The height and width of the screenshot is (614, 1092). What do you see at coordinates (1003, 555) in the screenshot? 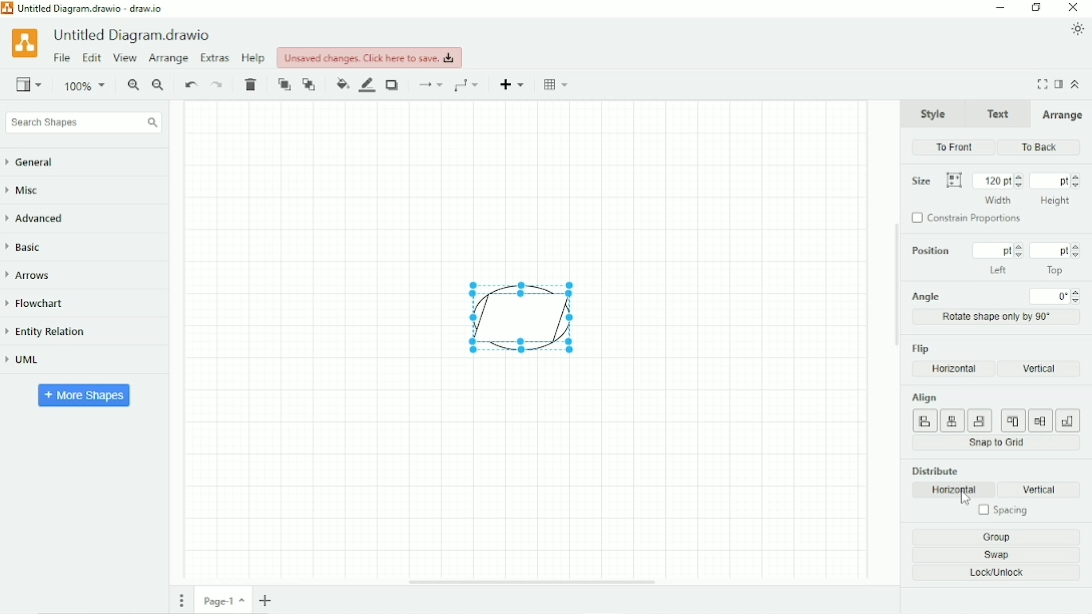
I see `Swap` at bounding box center [1003, 555].